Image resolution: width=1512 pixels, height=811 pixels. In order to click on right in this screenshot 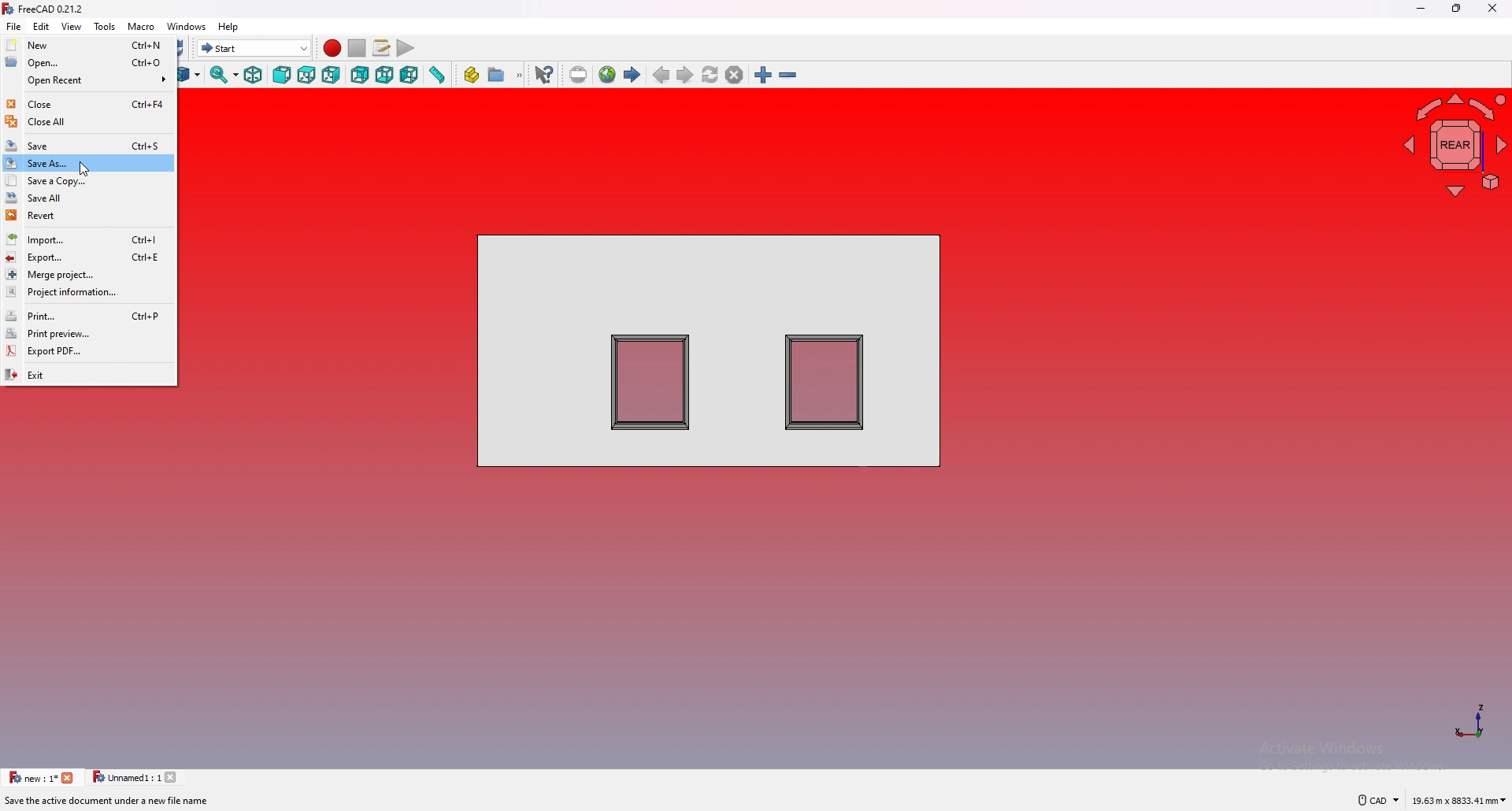, I will do `click(332, 75)`.